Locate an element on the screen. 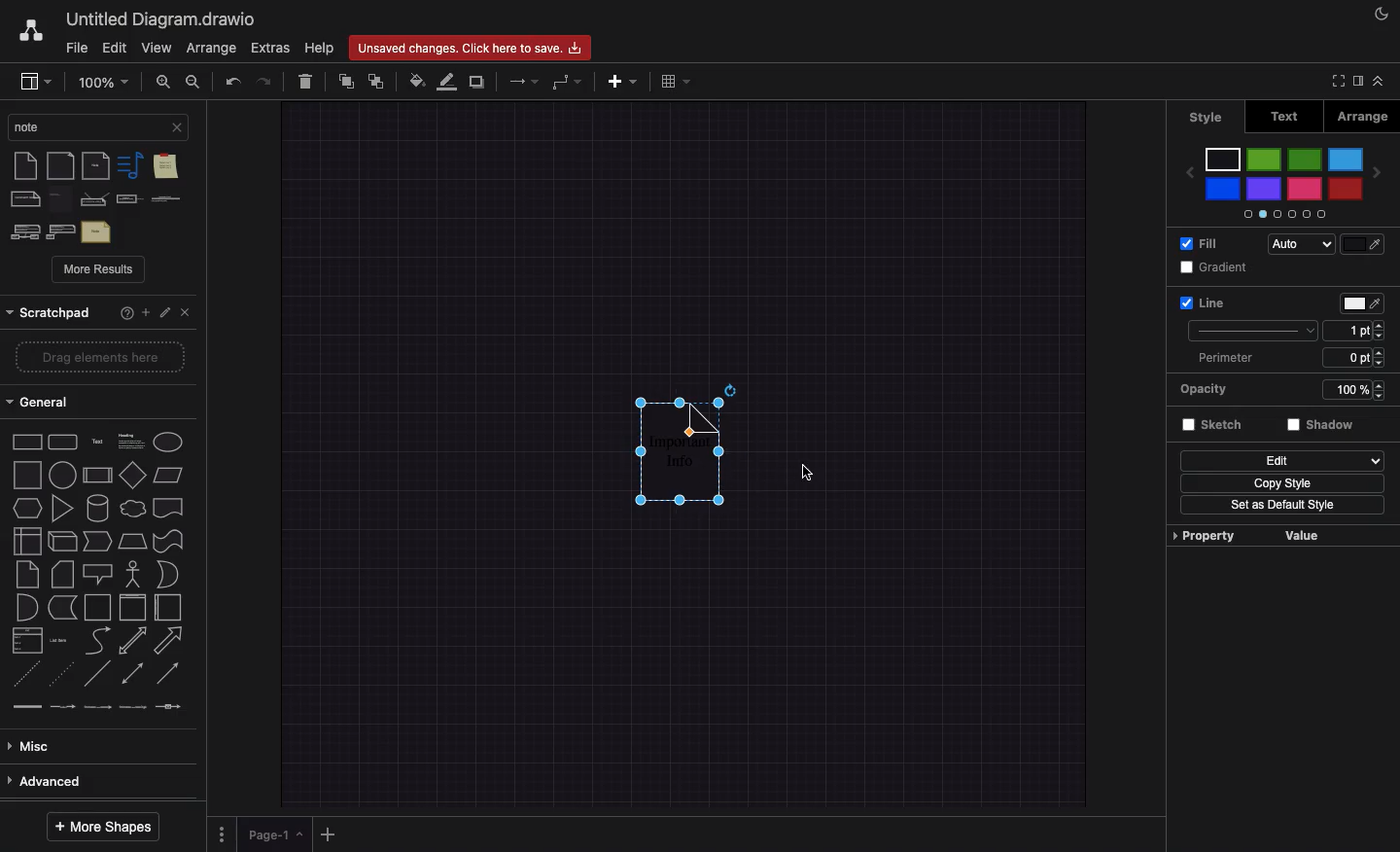 The image size is (1400, 852). red is located at coordinates (1346, 188).